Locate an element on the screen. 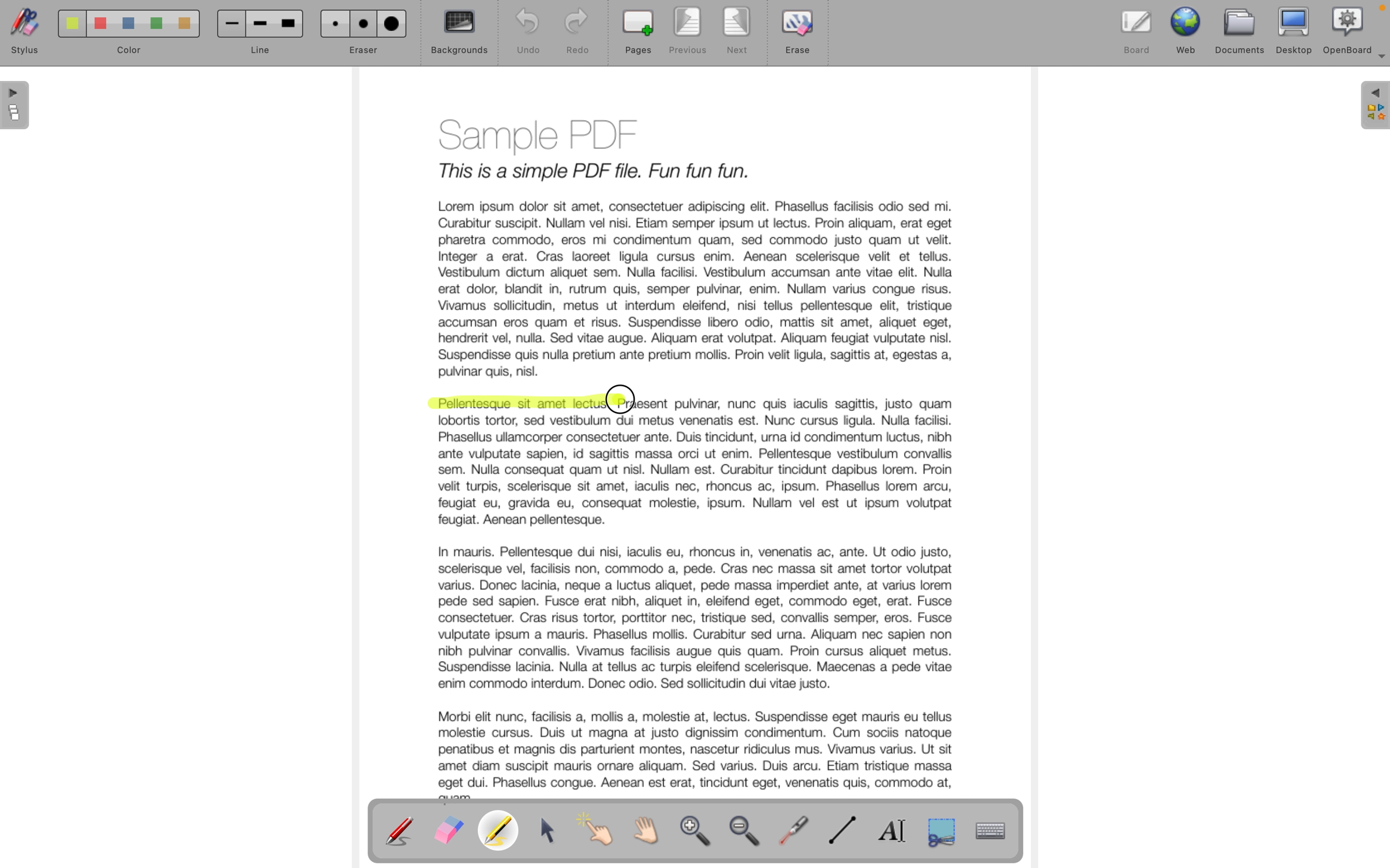 This screenshot has width=1390, height=868. highlight text is located at coordinates (509, 403).